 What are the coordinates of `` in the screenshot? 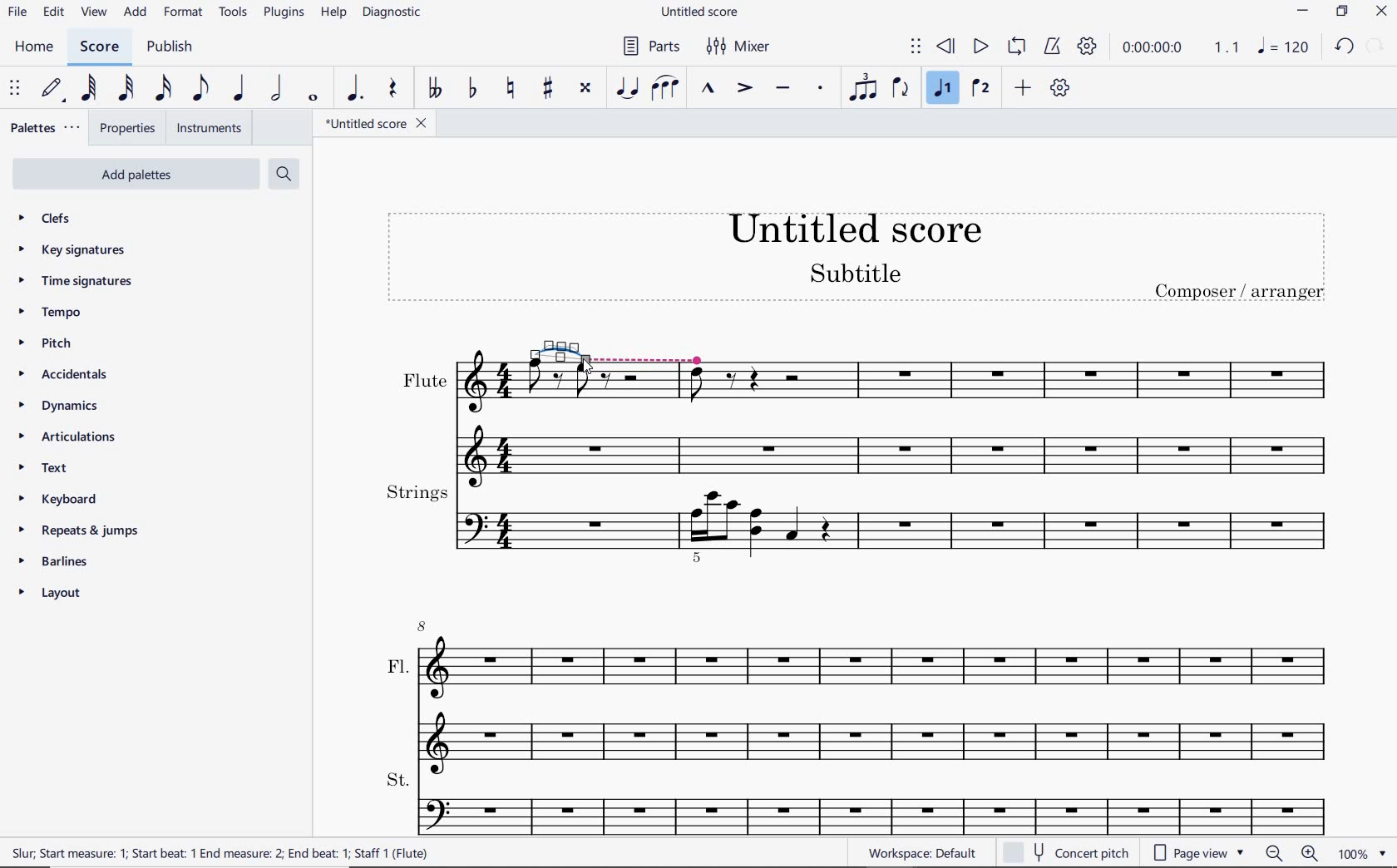 It's located at (448, 411).